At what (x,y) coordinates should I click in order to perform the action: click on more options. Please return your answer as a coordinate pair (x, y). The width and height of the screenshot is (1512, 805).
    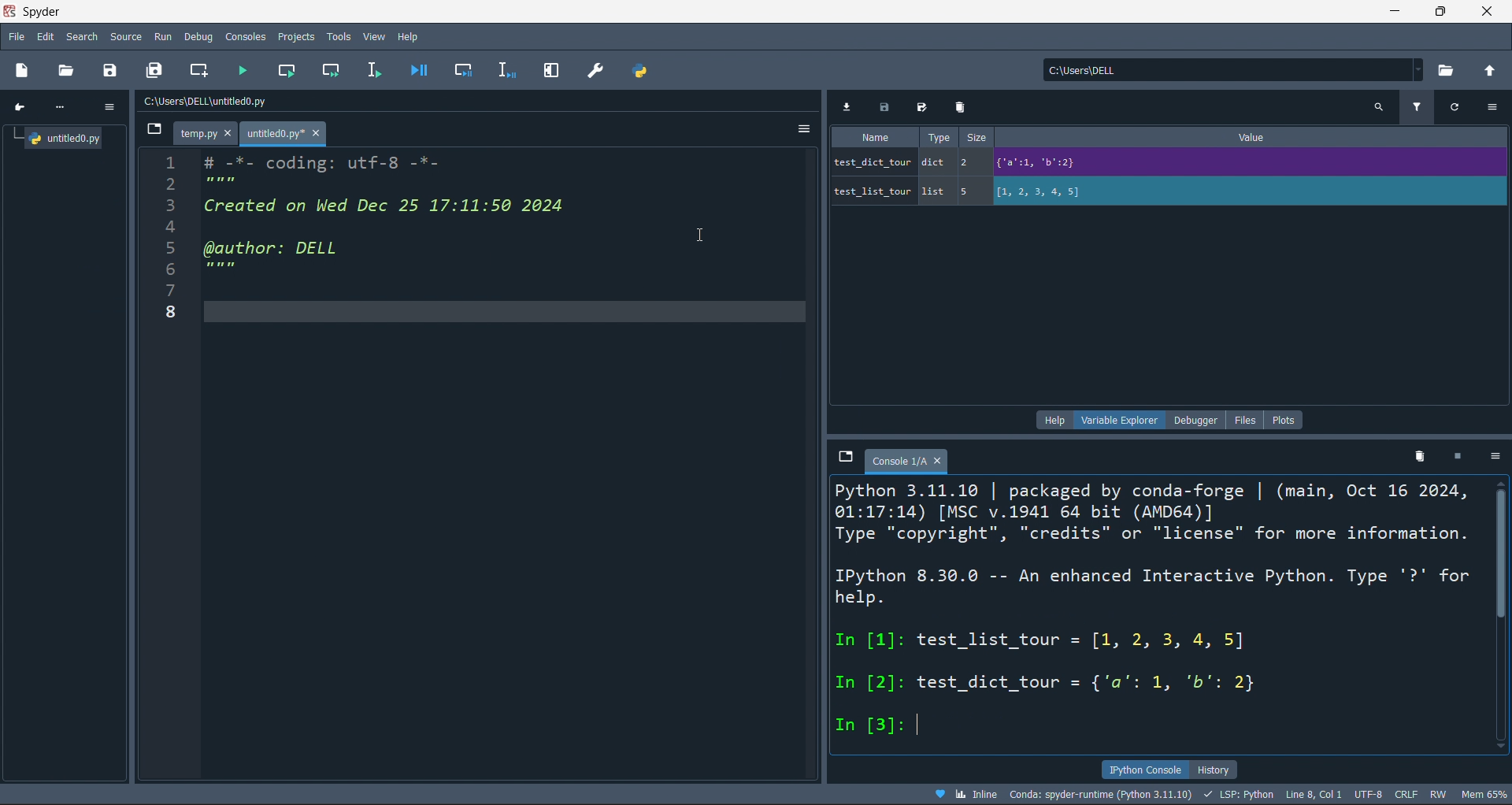
    Looking at the image, I should click on (111, 108).